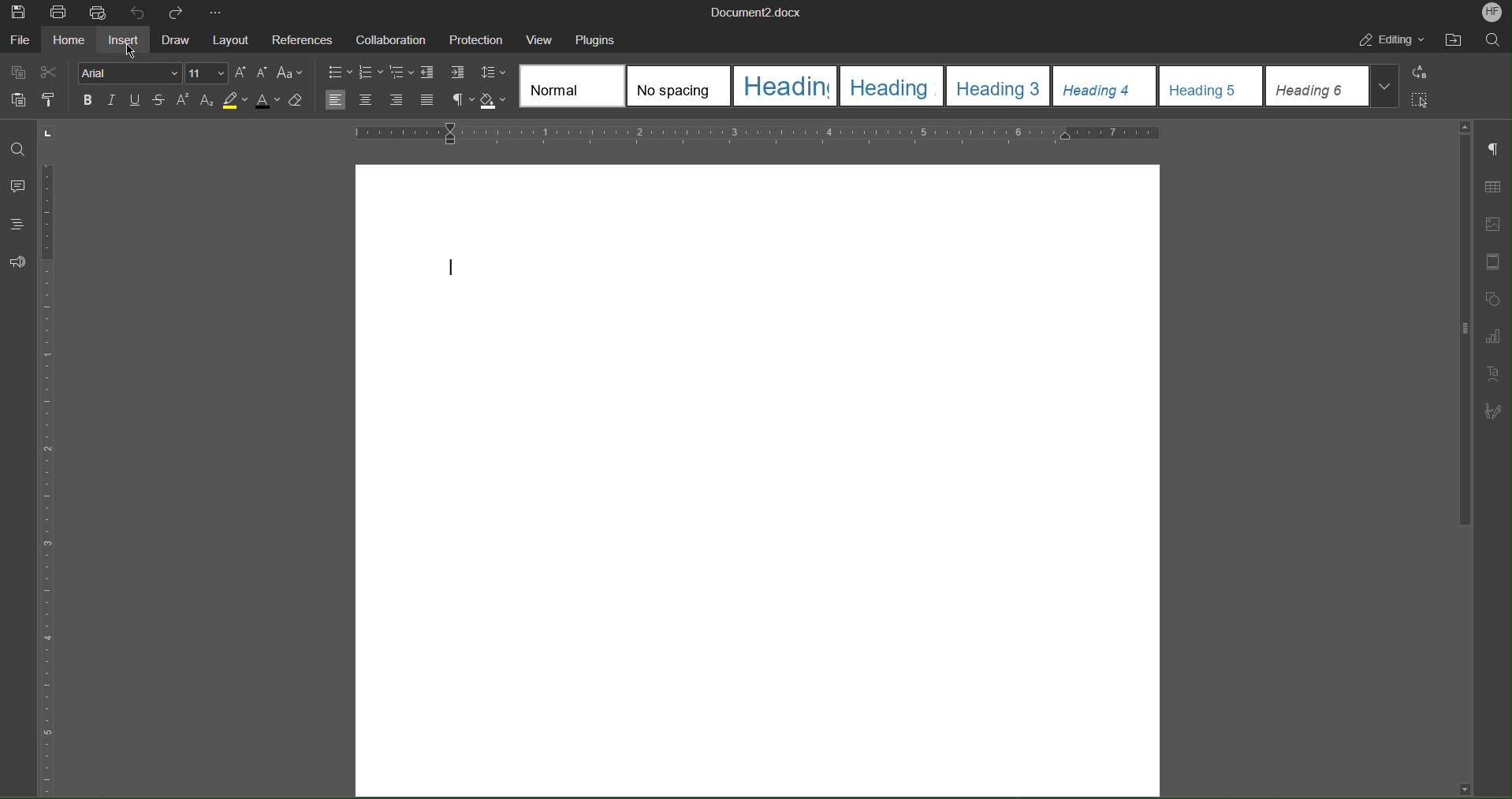 The width and height of the screenshot is (1512, 799). Describe the element at coordinates (389, 38) in the screenshot. I see `Collaboration` at that location.